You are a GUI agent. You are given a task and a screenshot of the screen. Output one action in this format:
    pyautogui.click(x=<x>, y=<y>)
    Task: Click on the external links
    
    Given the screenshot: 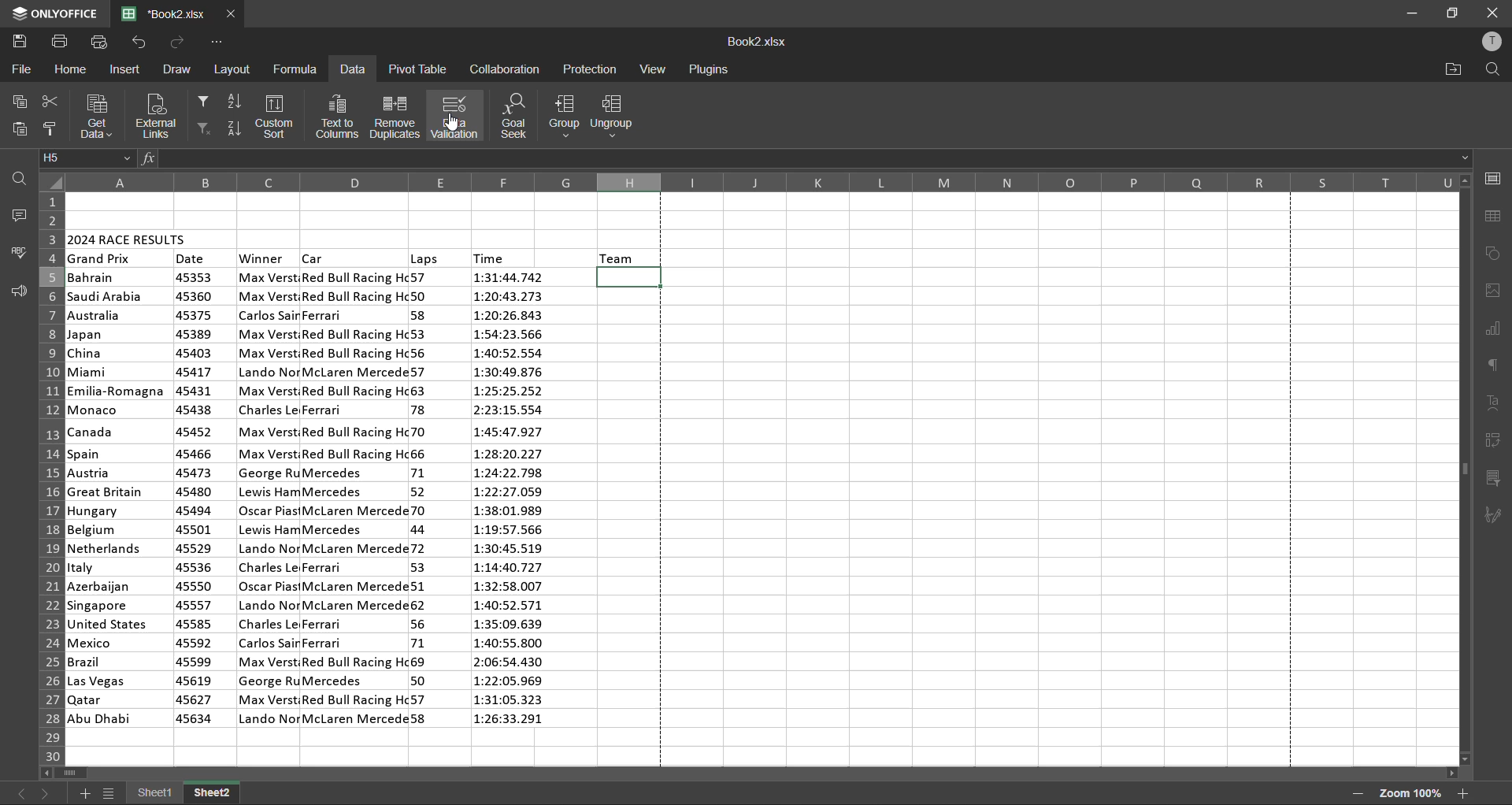 What is the action you would take?
    pyautogui.click(x=156, y=115)
    